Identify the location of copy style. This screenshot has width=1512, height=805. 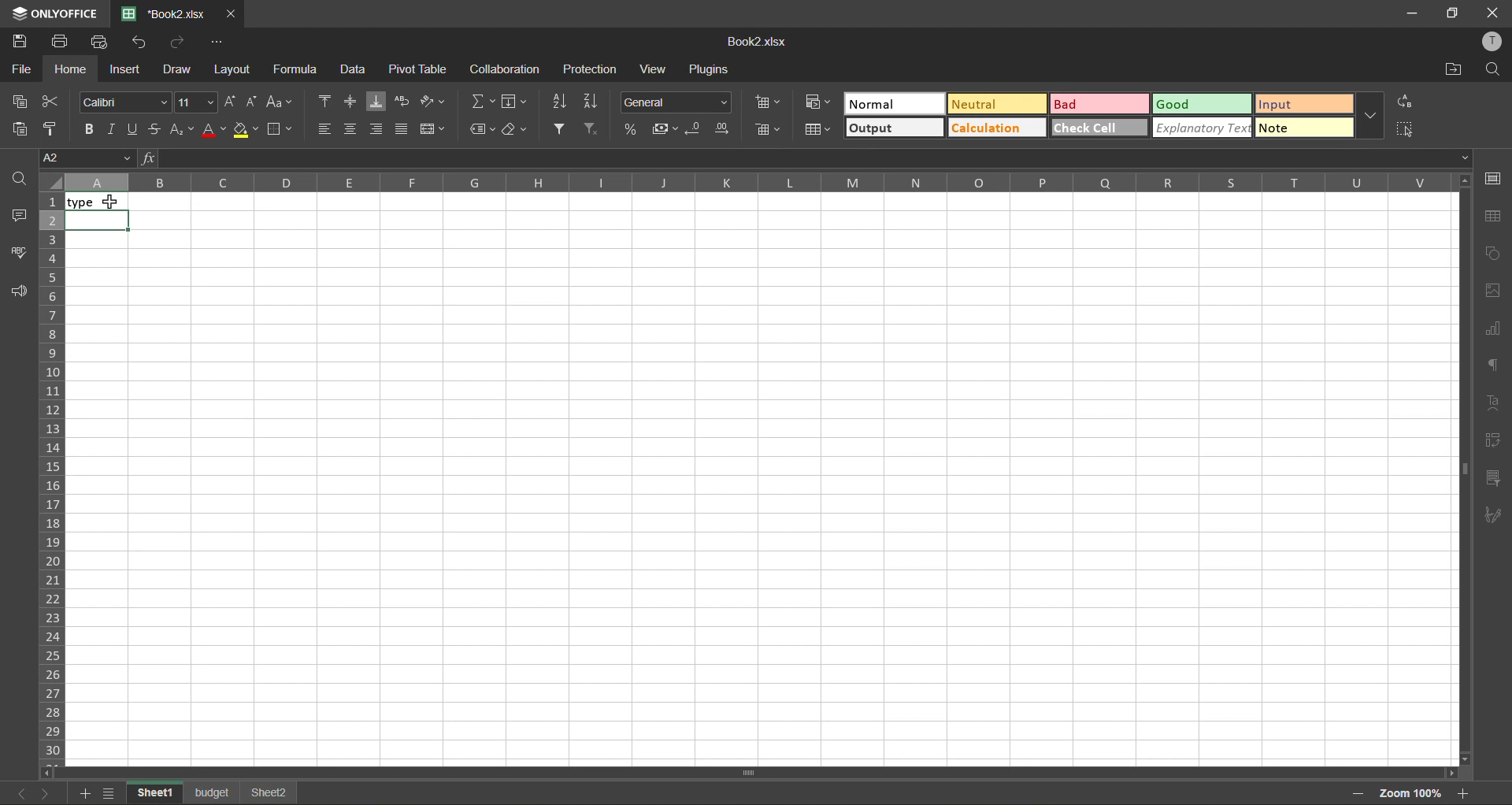
(53, 126).